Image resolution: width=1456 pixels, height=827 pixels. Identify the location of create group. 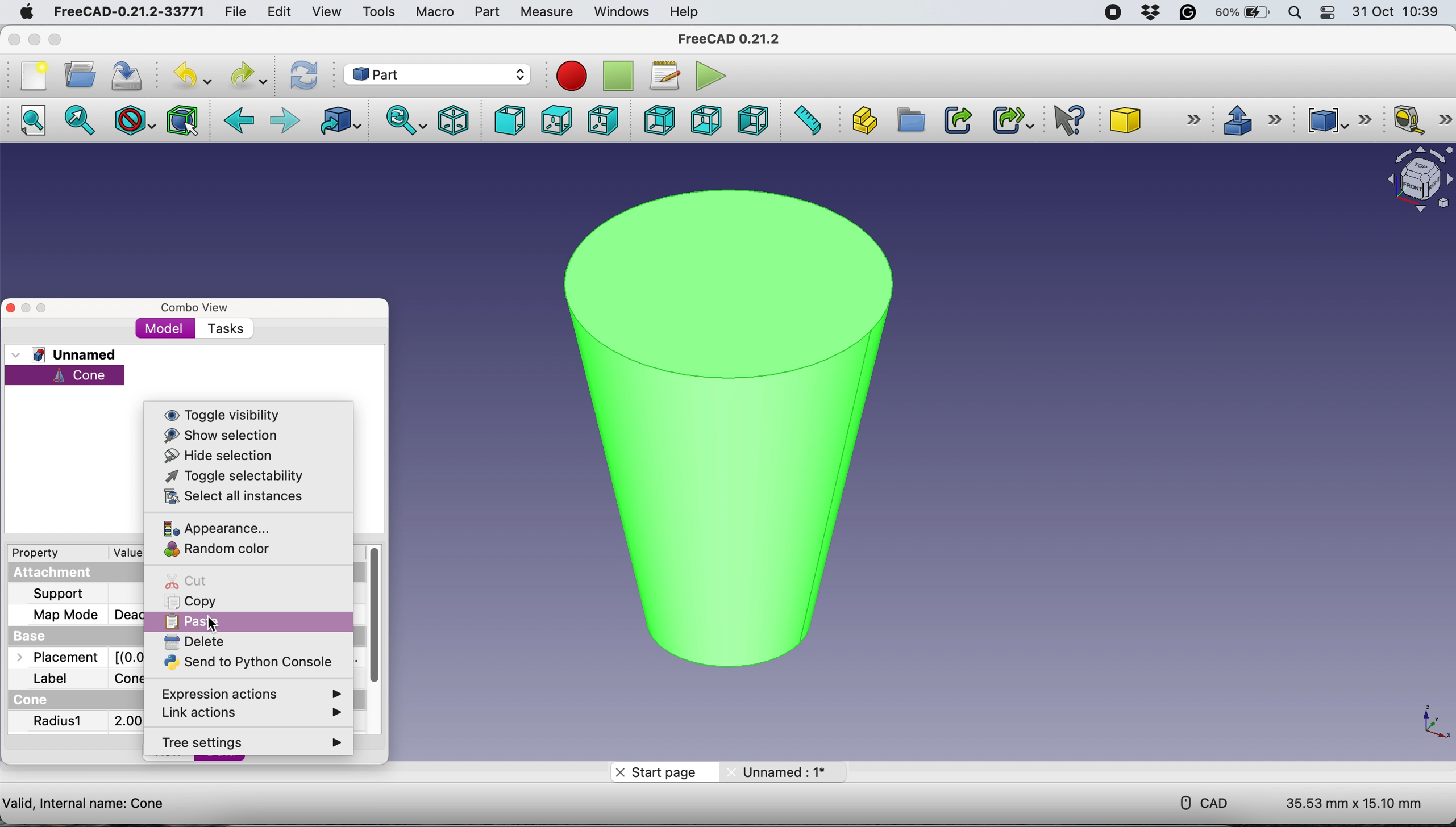
(910, 121).